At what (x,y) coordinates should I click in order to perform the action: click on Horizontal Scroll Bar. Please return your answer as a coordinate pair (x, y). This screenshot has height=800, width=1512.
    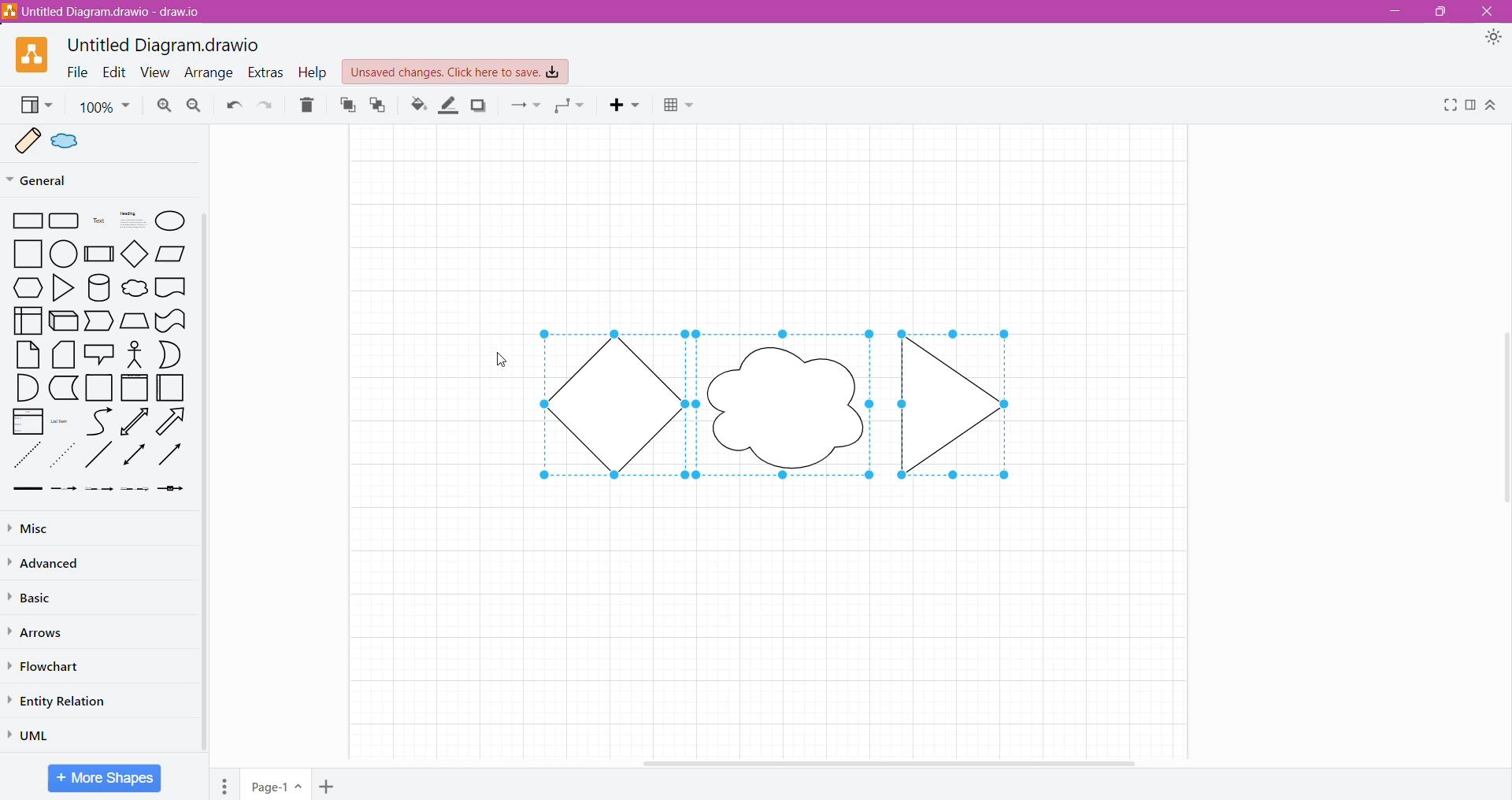
    Looking at the image, I should click on (891, 761).